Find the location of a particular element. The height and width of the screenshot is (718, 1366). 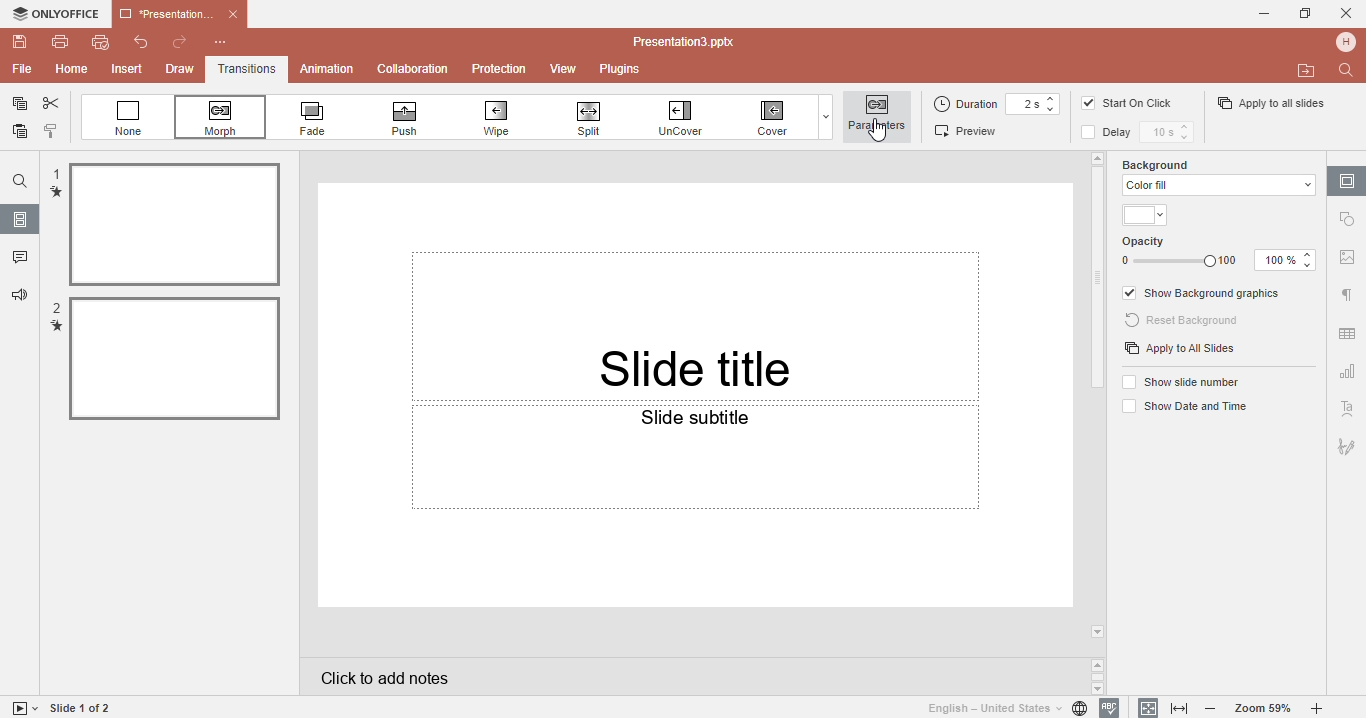

Plugins is located at coordinates (629, 70).